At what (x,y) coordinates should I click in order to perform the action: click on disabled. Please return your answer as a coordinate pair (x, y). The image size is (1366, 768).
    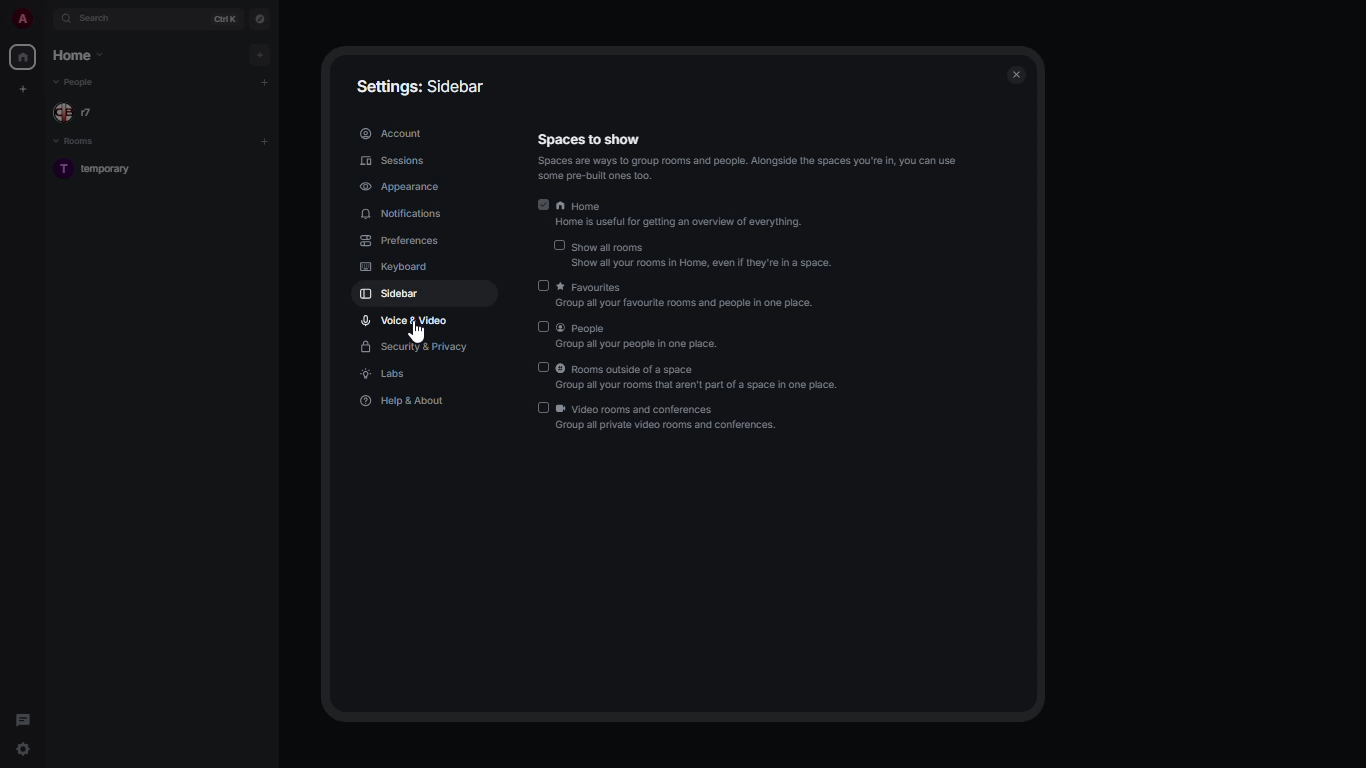
    Looking at the image, I should click on (557, 246).